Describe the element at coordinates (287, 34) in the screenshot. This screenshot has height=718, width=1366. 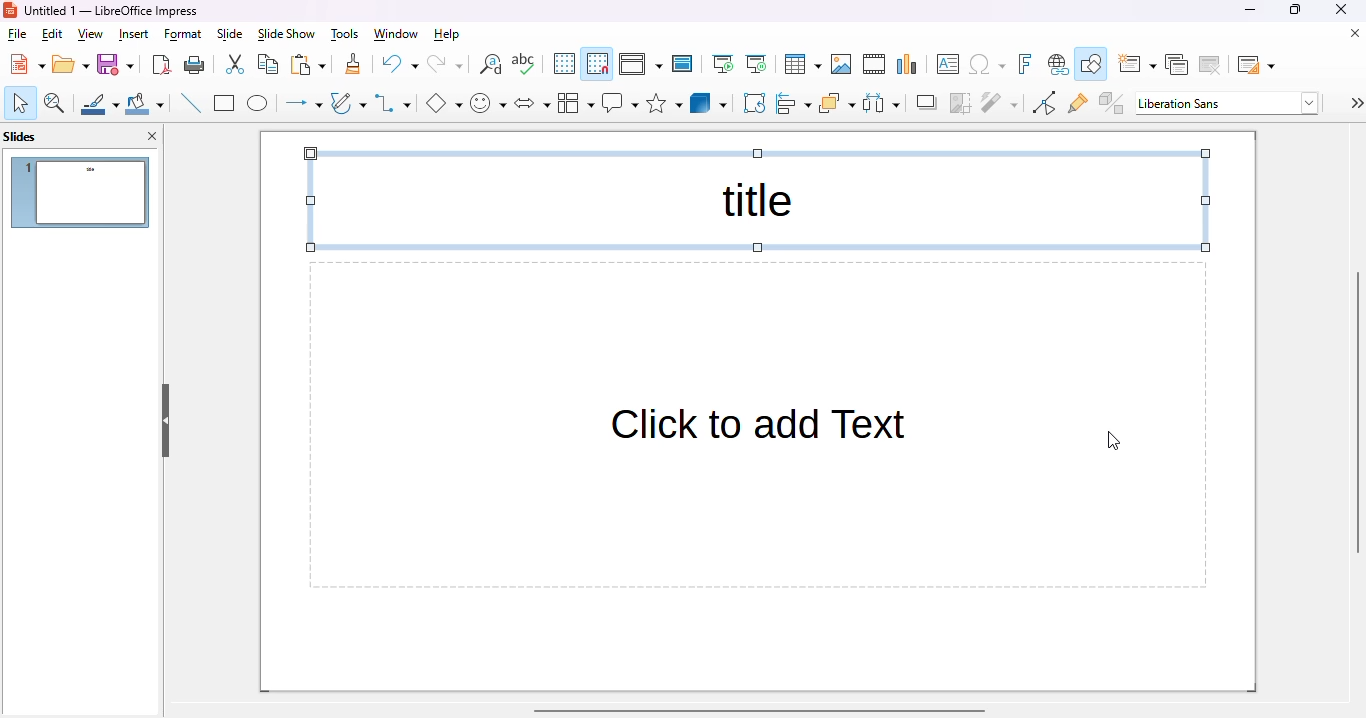
I see `slide show` at that location.